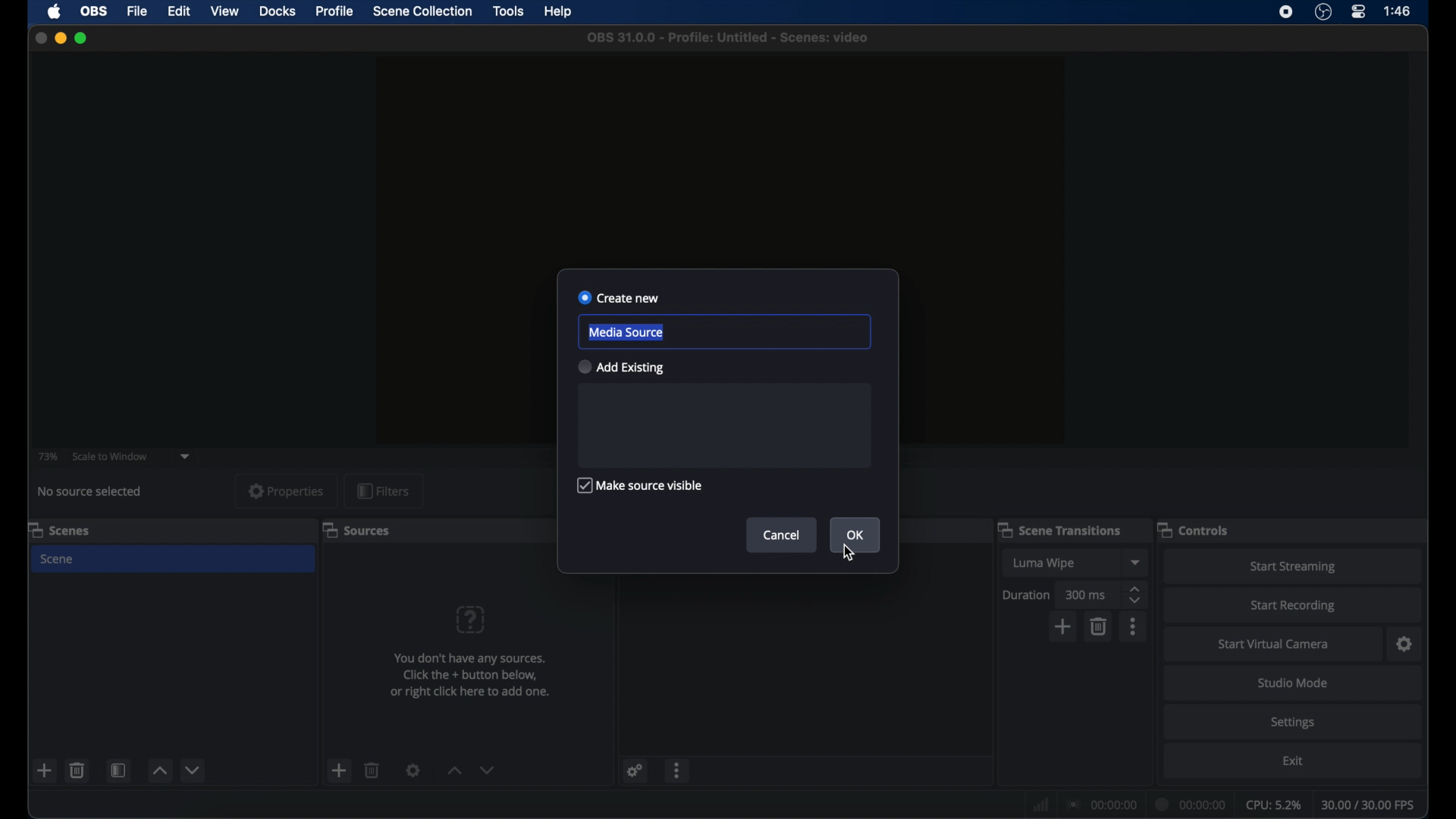  I want to click on tools, so click(510, 10).